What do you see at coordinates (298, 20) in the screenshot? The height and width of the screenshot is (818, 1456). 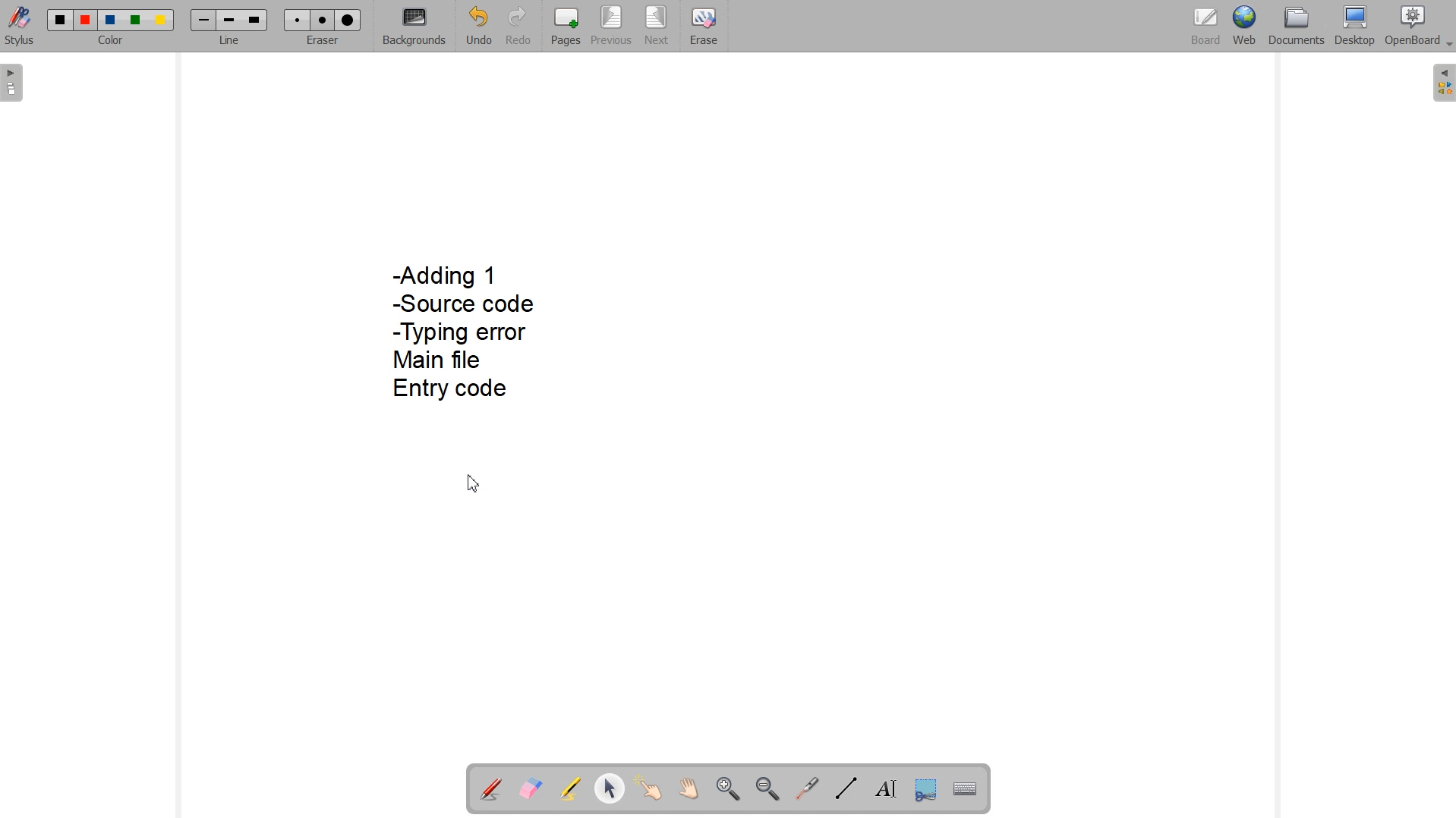 I see `Small eraser` at bounding box center [298, 20].